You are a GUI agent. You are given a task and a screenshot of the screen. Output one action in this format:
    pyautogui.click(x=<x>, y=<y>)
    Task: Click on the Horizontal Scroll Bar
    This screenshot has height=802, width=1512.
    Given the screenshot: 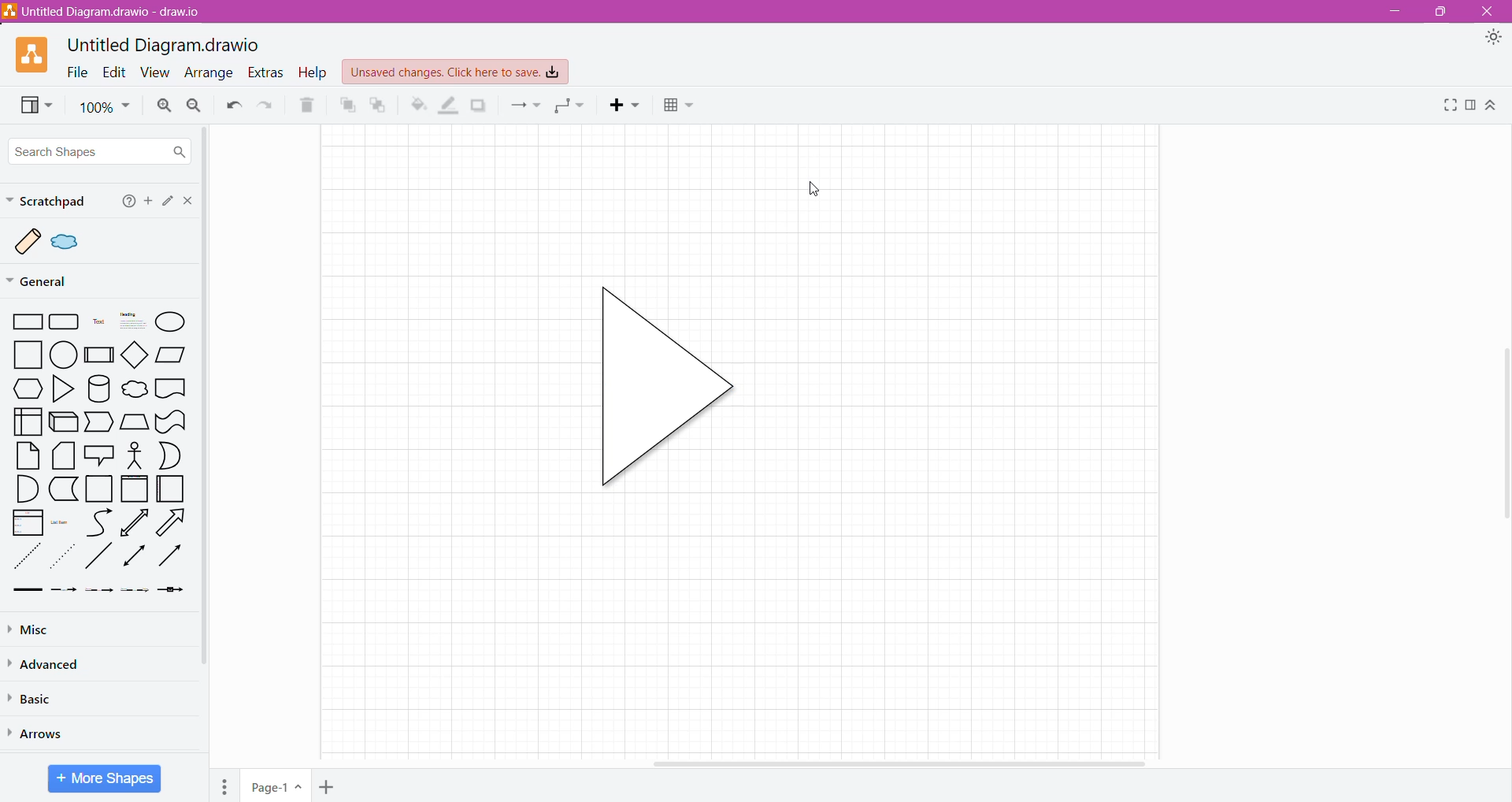 What is the action you would take?
    pyautogui.click(x=904, y=761)
    